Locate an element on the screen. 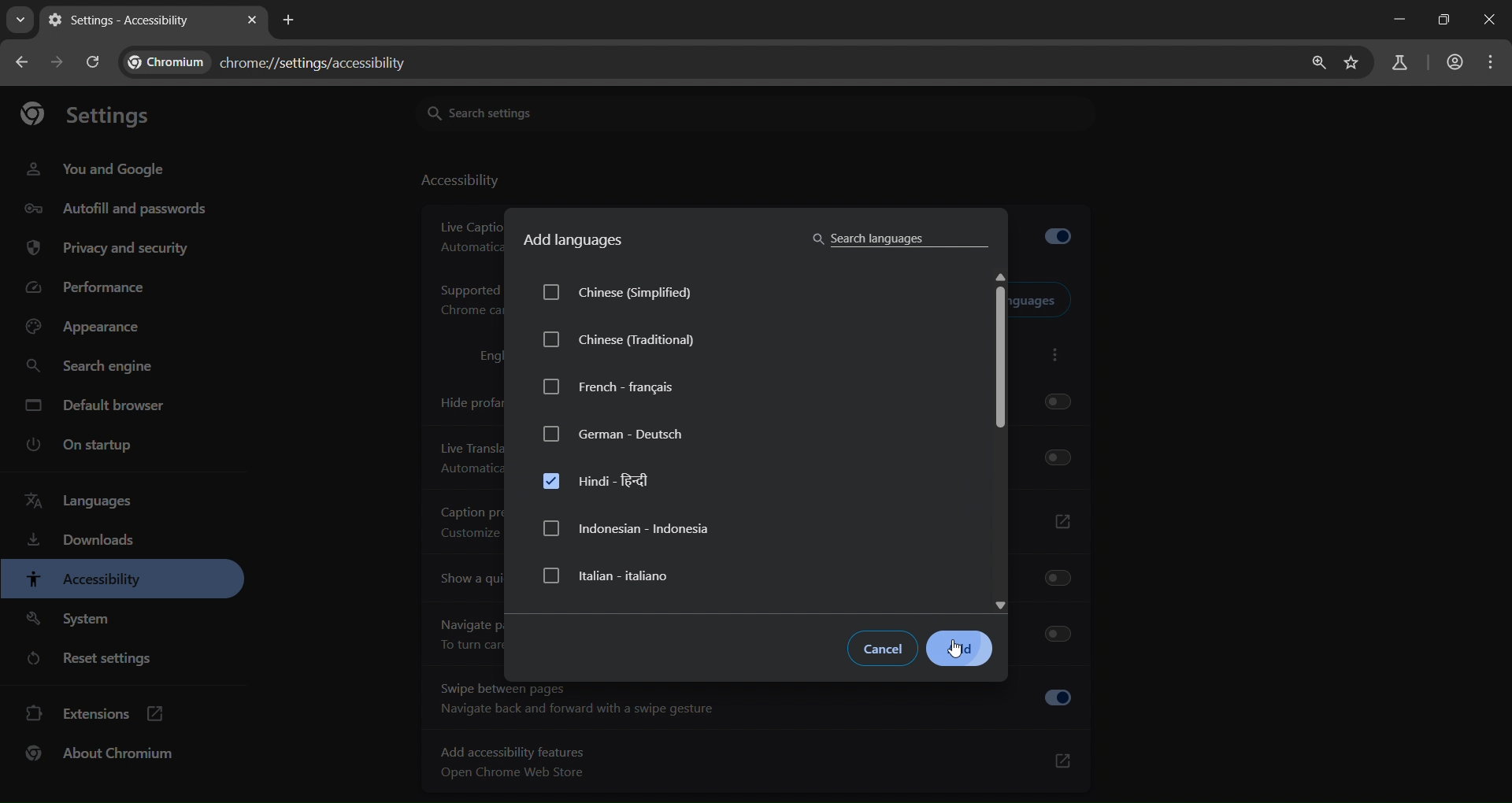  on startup is located at coordinates (76, 446).